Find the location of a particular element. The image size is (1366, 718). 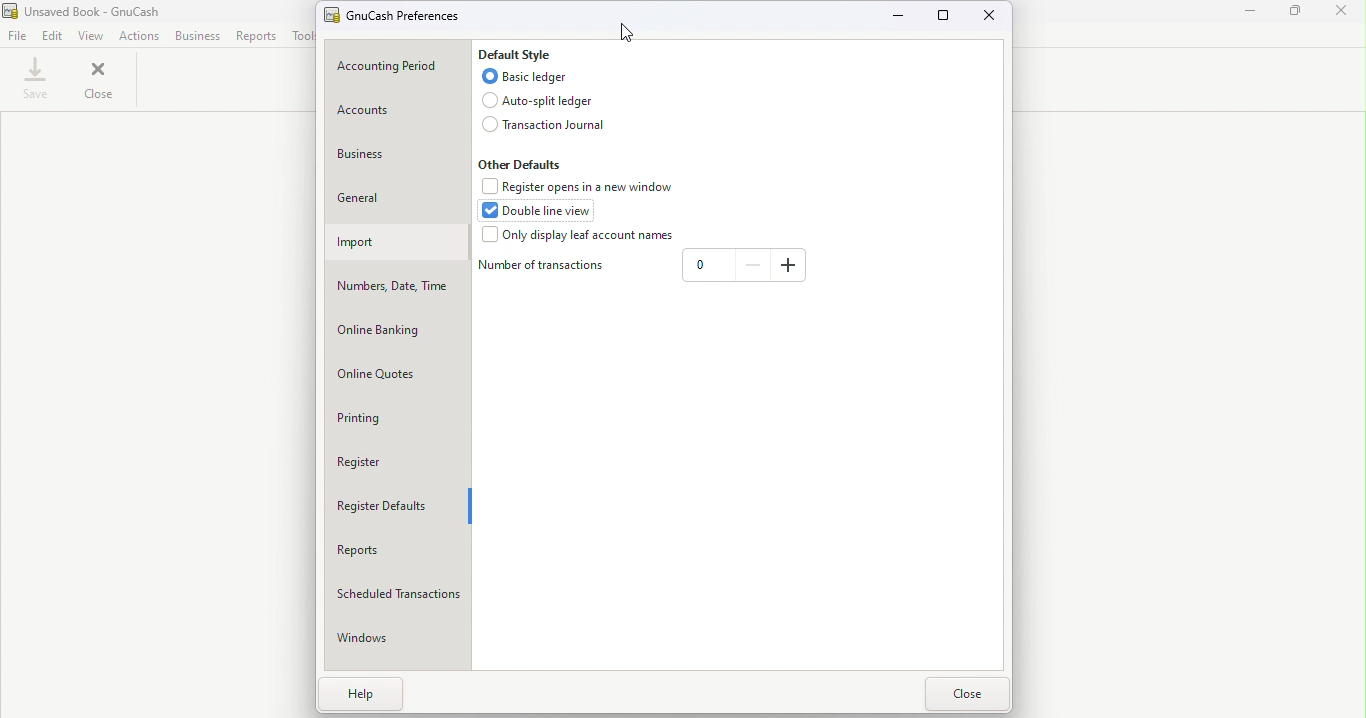

View is located at coordinates (92, 36).